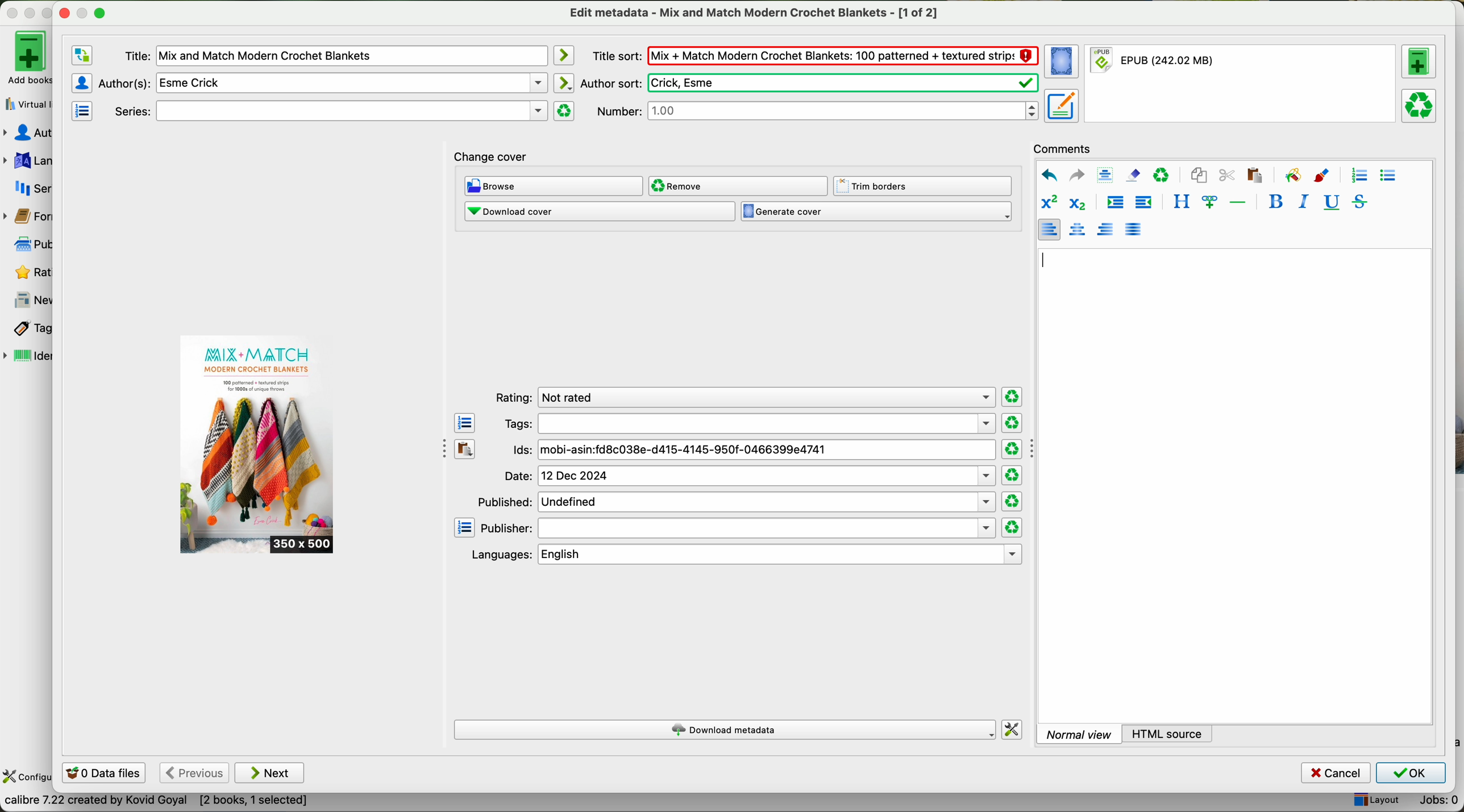 This screenshot has height=812, width=1464. What do you see at coordinates (1410, 773) in the screenshot?
I see `OK` at bounding box center [1410, 773].